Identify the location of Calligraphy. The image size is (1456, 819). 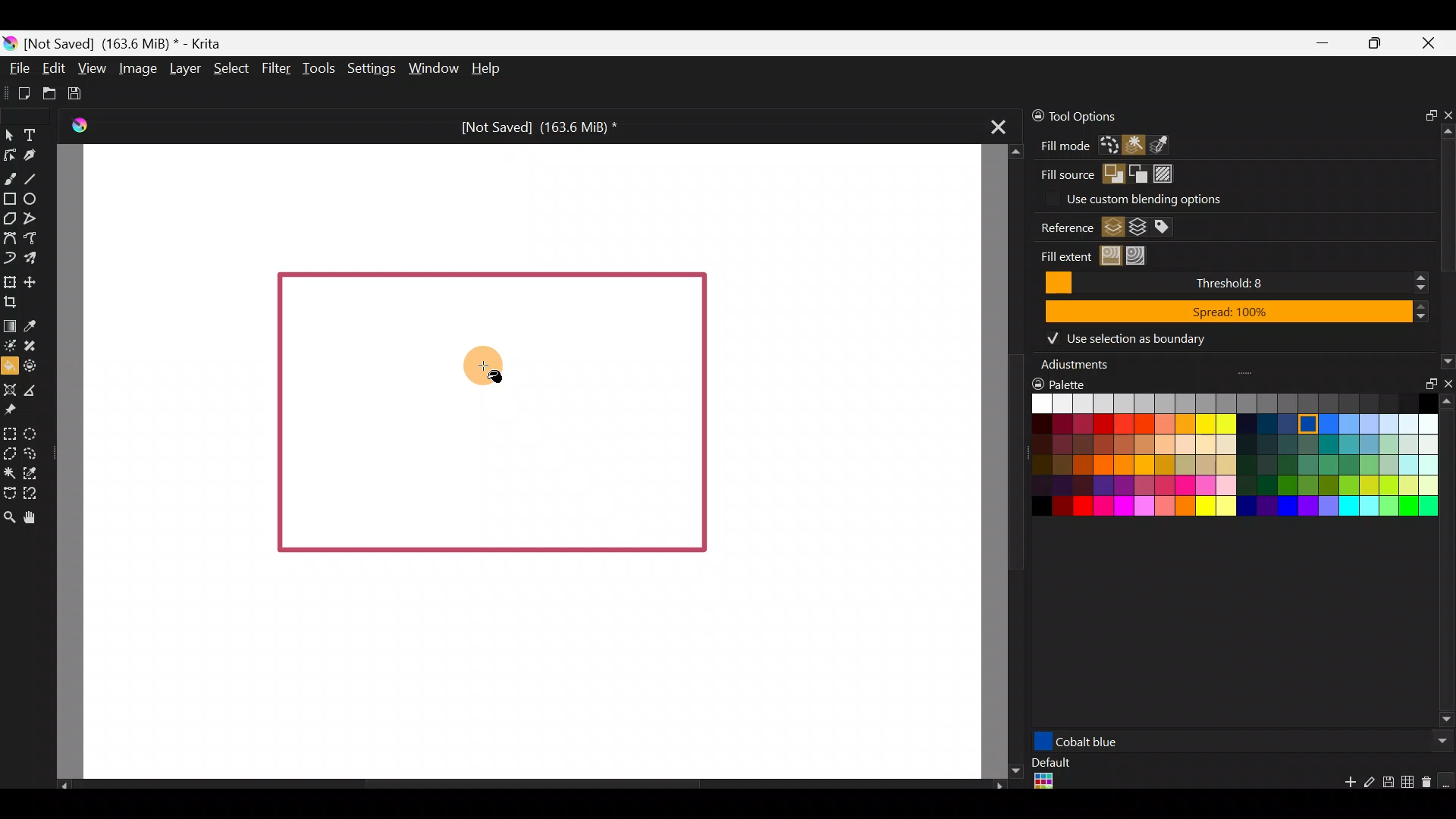
(33, 155).